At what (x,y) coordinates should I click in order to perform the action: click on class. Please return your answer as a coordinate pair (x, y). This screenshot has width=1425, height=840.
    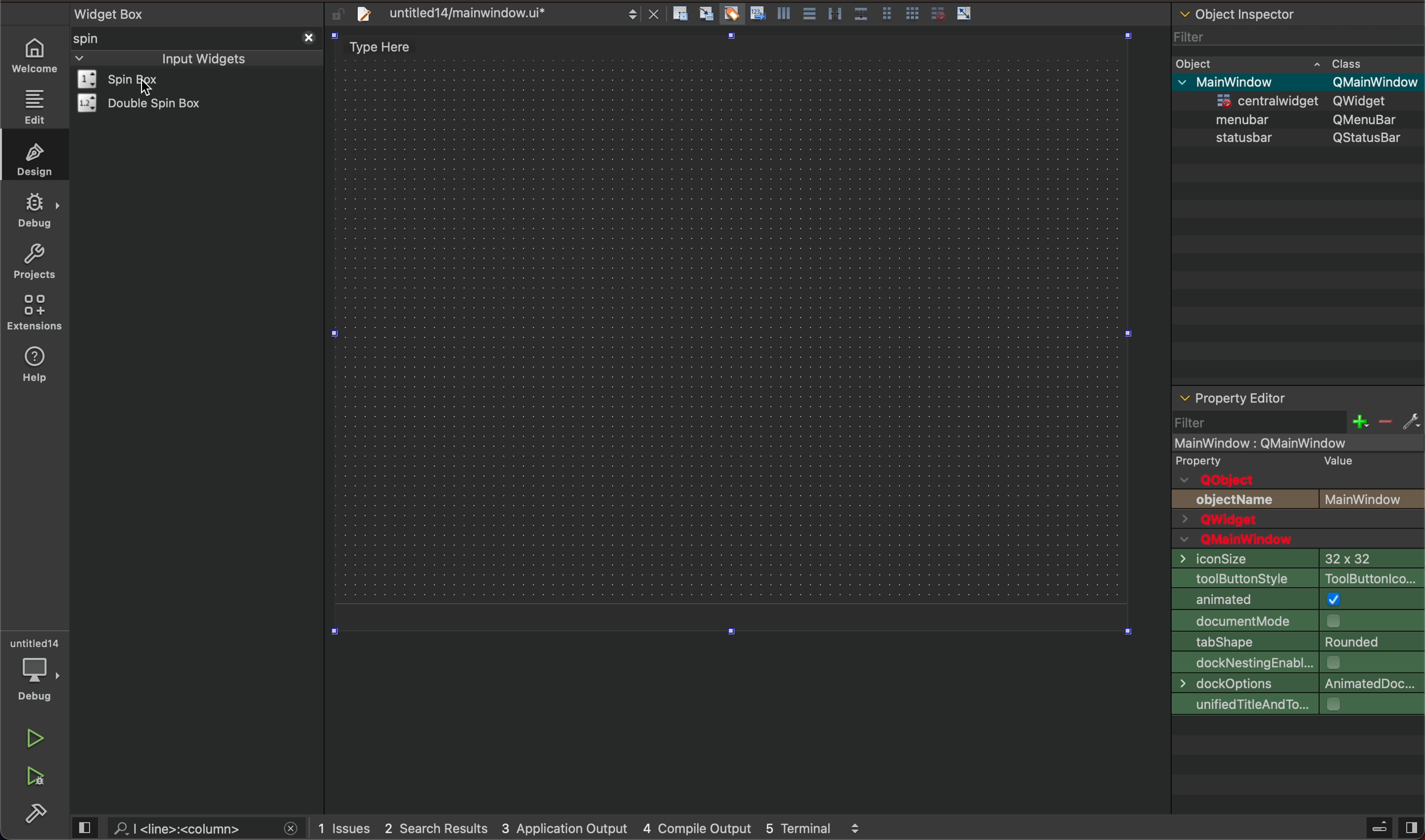
    Looking at the image, I should click on (1349, 62).